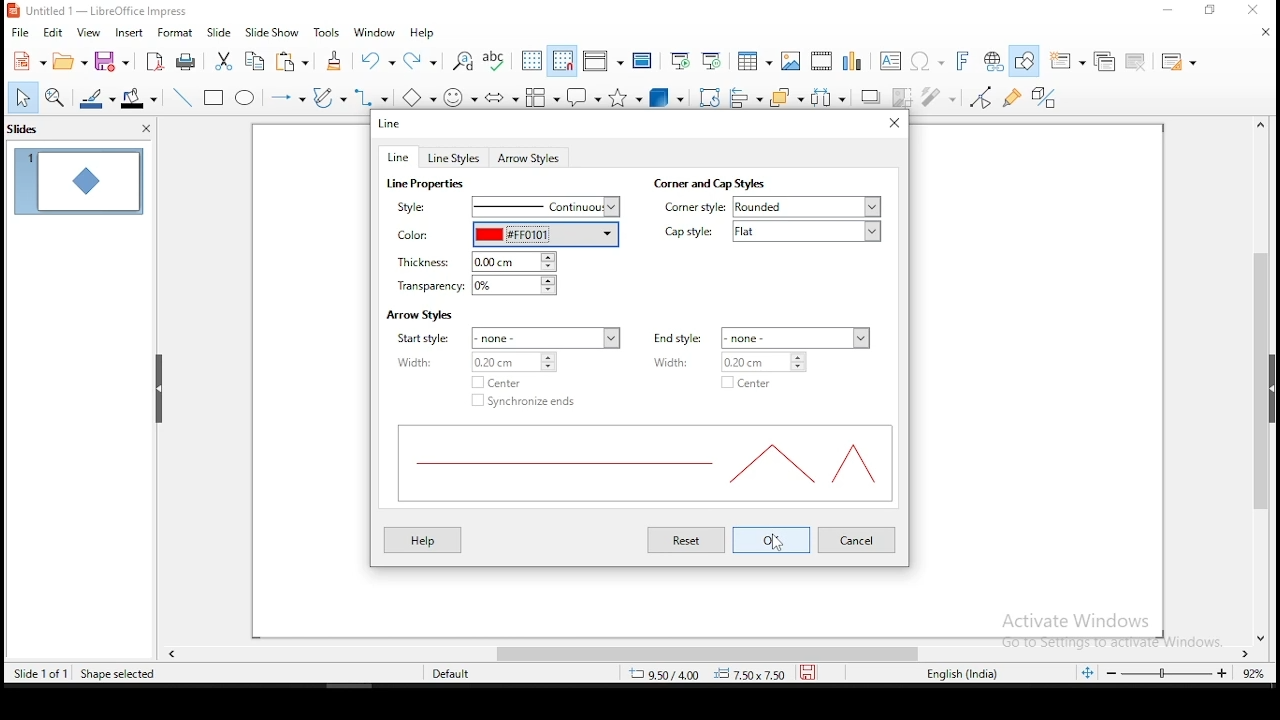  I want to click on close, so click(1255, 31).